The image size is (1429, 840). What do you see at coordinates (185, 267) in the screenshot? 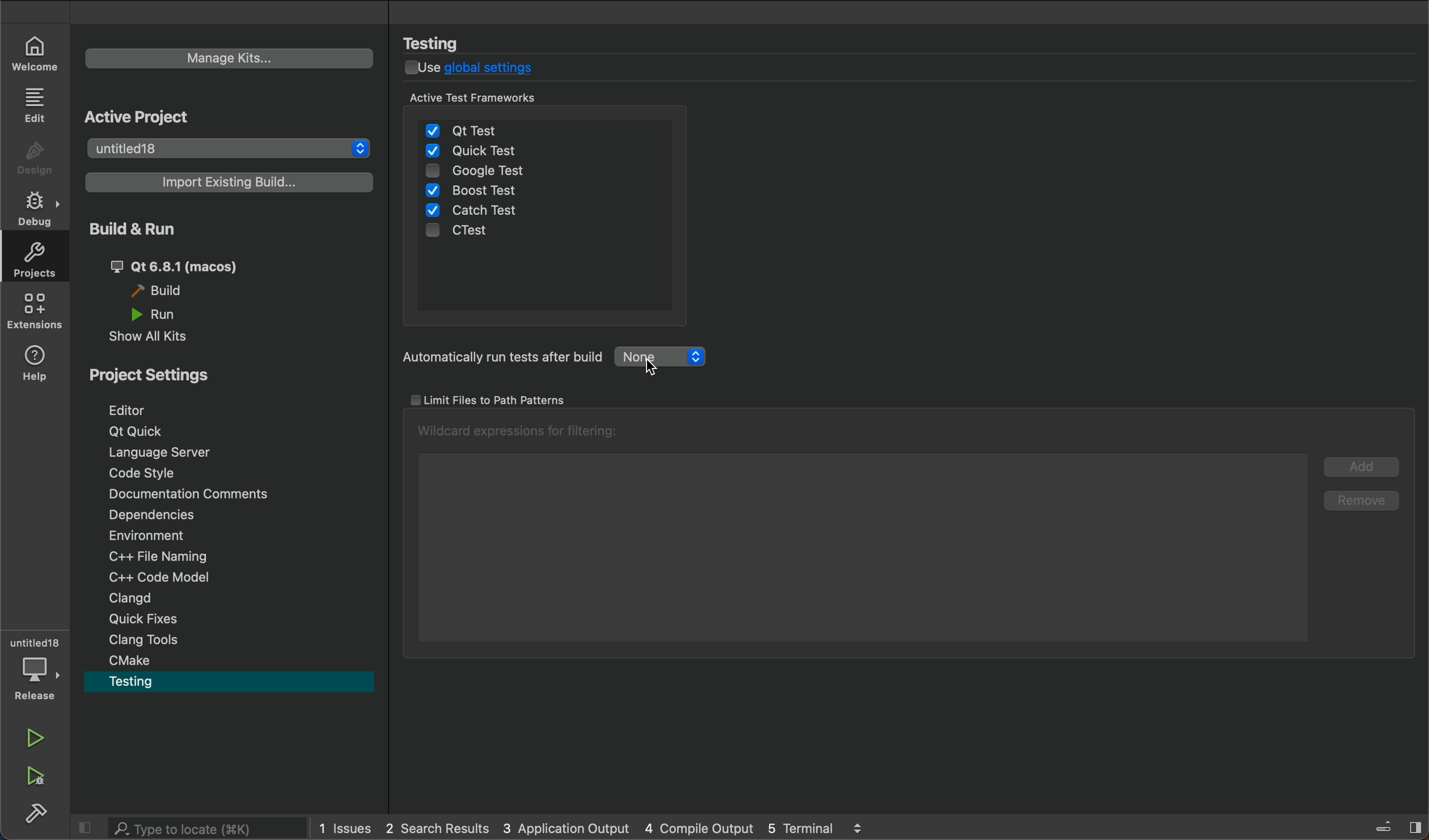
I see `qt` at bounding box center [185, 267].